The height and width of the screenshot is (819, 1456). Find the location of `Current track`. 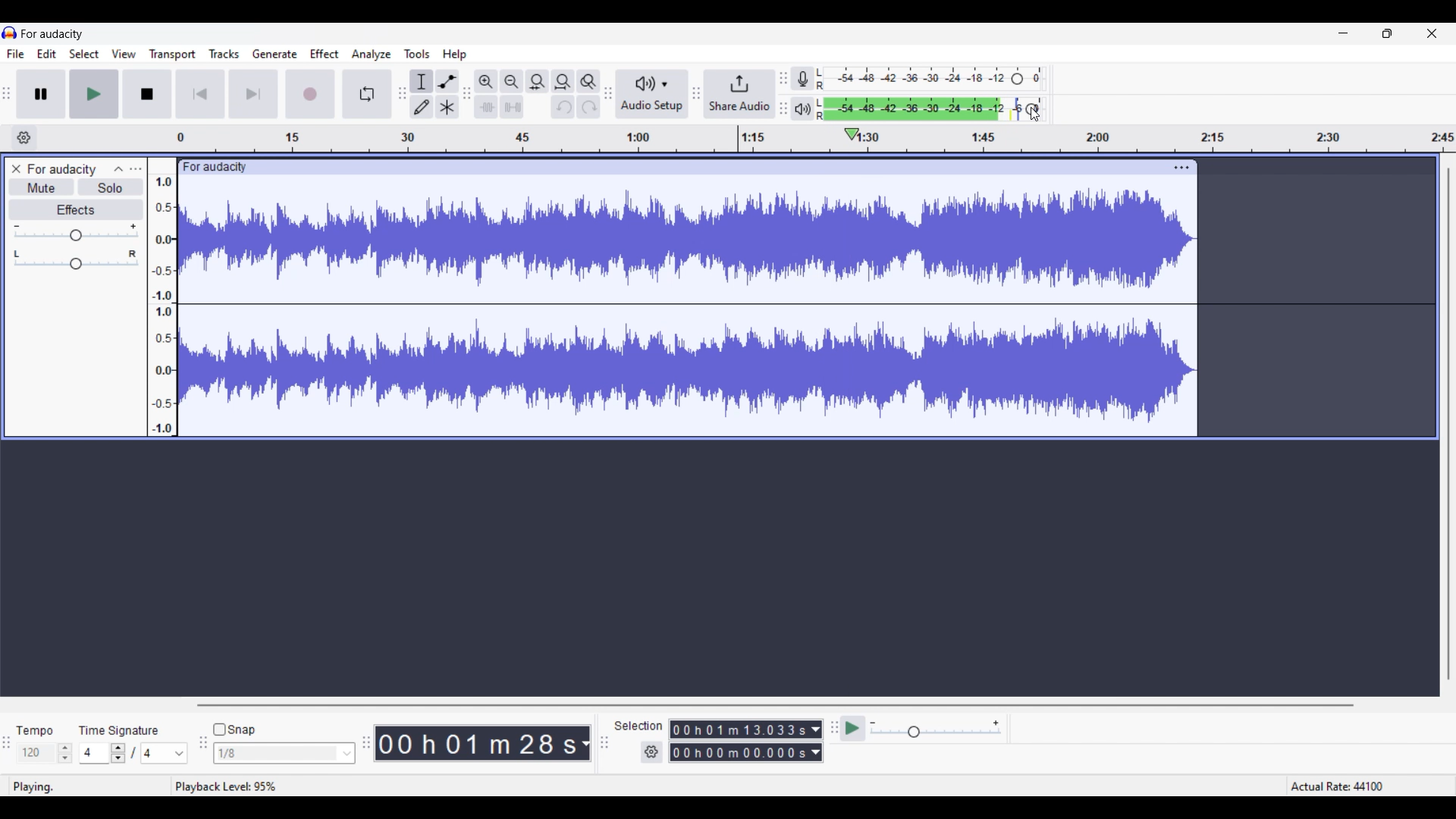

Current track is located at coordinates (689, 306).